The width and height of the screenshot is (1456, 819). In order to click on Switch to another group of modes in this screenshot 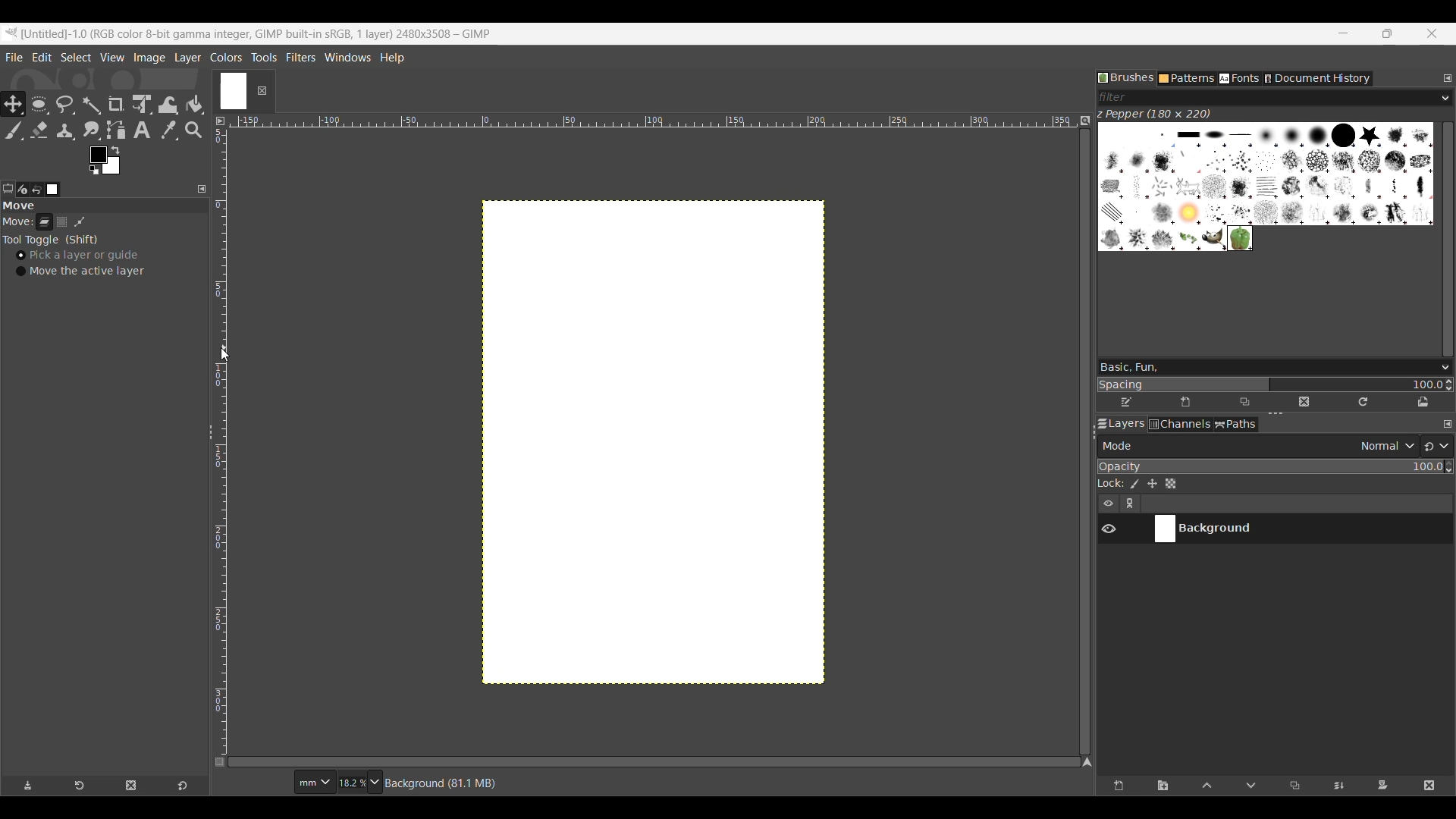, I will do `click(1436, 446)`.